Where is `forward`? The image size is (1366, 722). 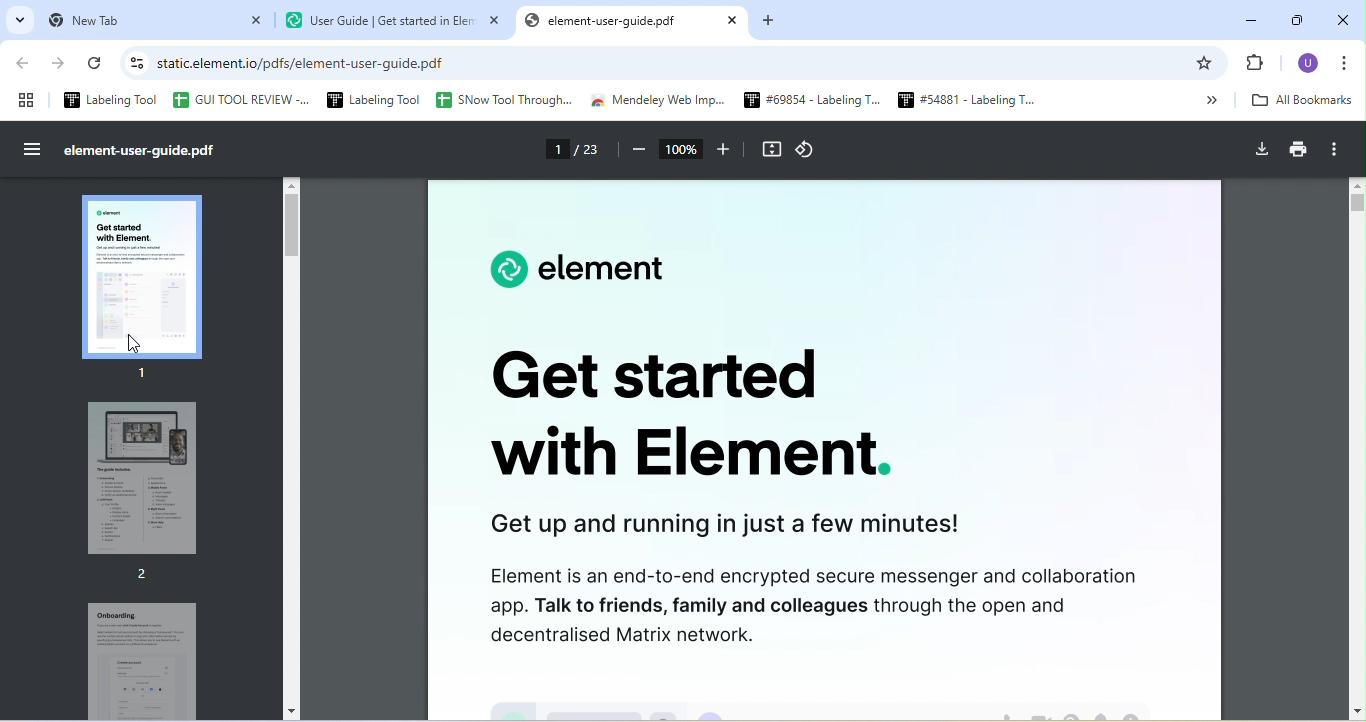 forward is located at coordinates (63, 64).